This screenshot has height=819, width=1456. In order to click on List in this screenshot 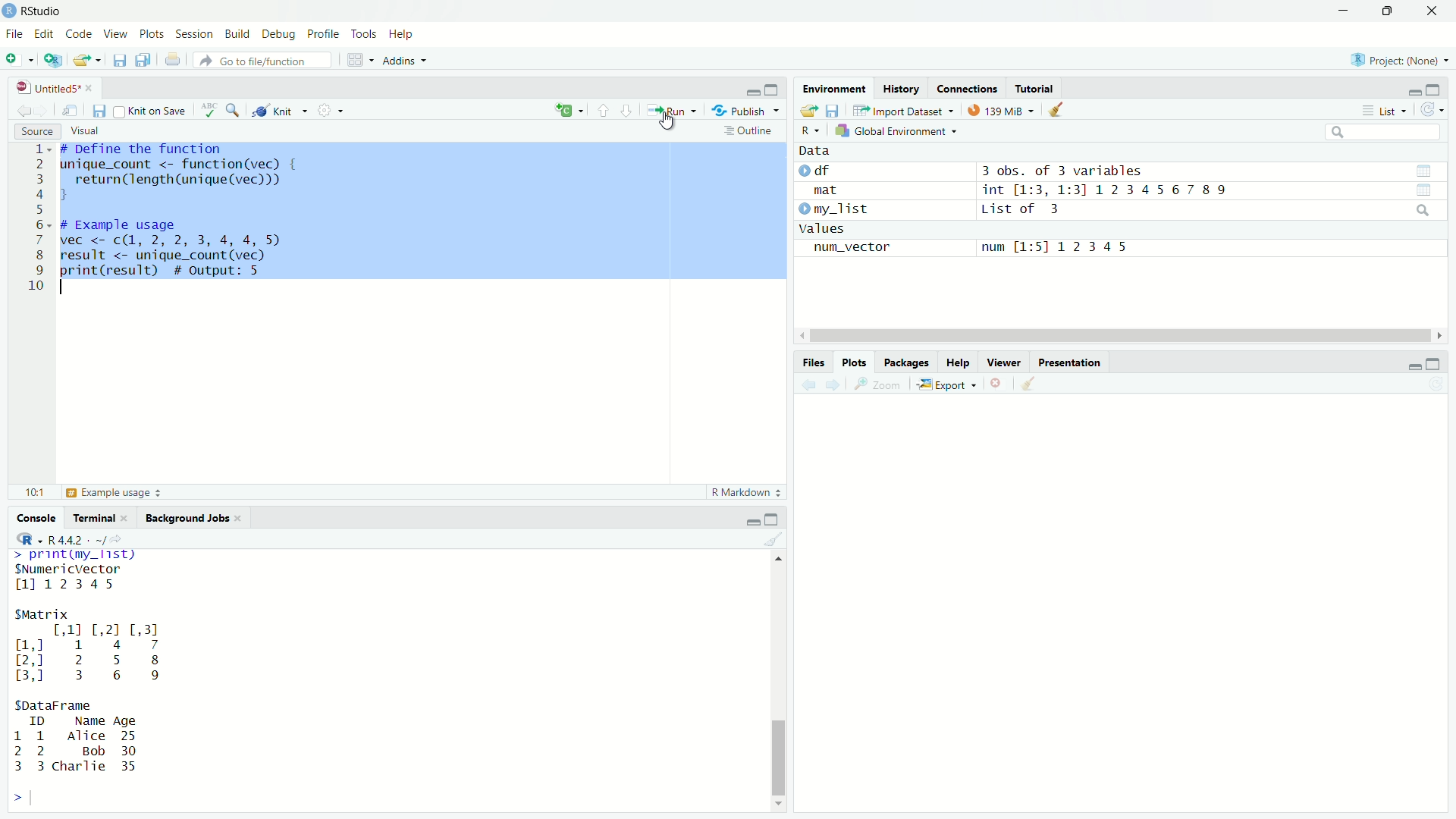, I will do `click(1385, 111)`.